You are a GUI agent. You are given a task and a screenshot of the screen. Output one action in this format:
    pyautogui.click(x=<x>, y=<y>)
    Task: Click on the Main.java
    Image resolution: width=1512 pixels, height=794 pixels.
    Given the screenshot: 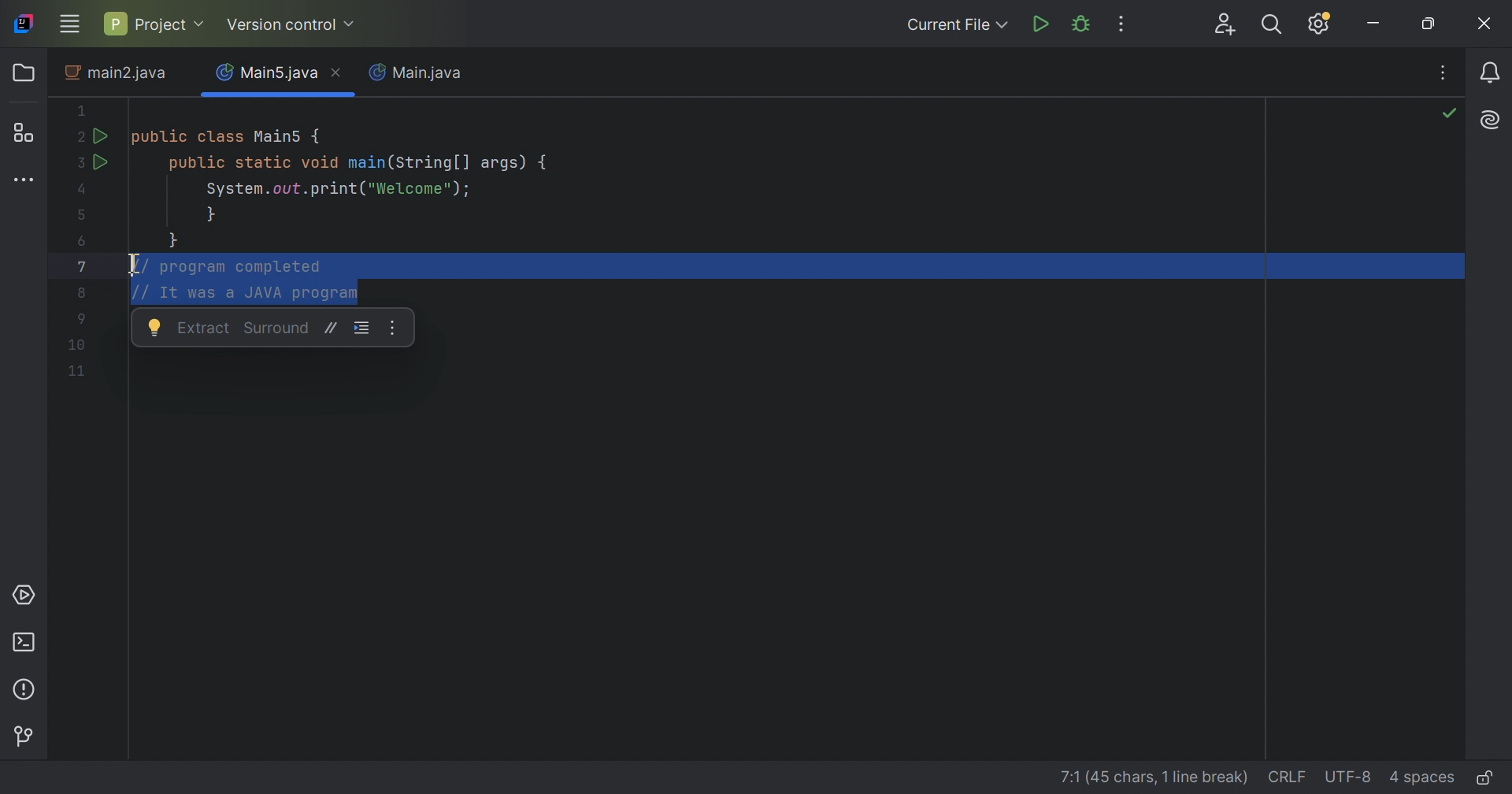 What is the action you would take?
    pyautogui.click(x=421, y=74)
    